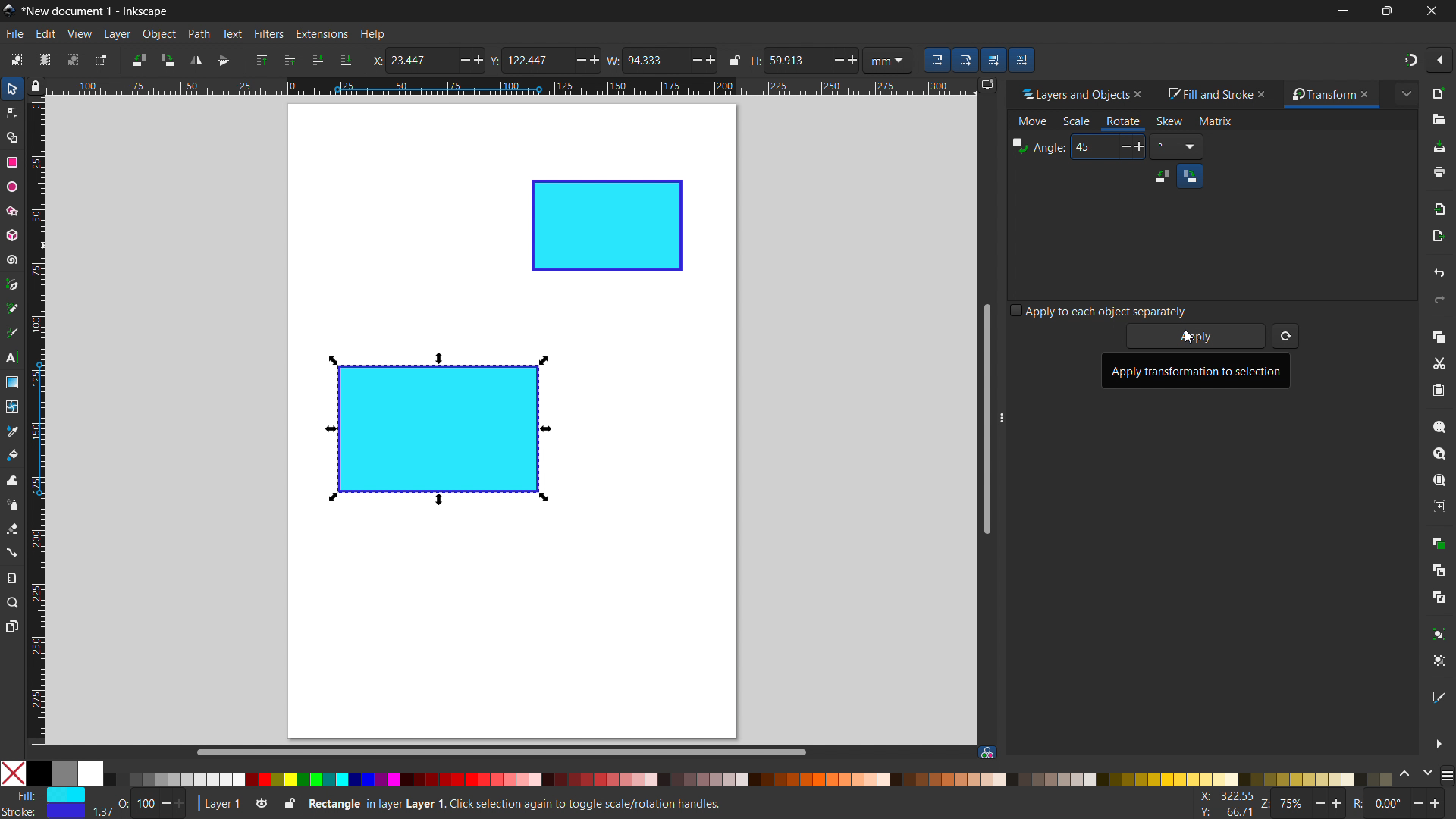  What do you see at coordinates (1439, 336) in the screenshot?
I see `copy` at bounding box center [1439, 336].